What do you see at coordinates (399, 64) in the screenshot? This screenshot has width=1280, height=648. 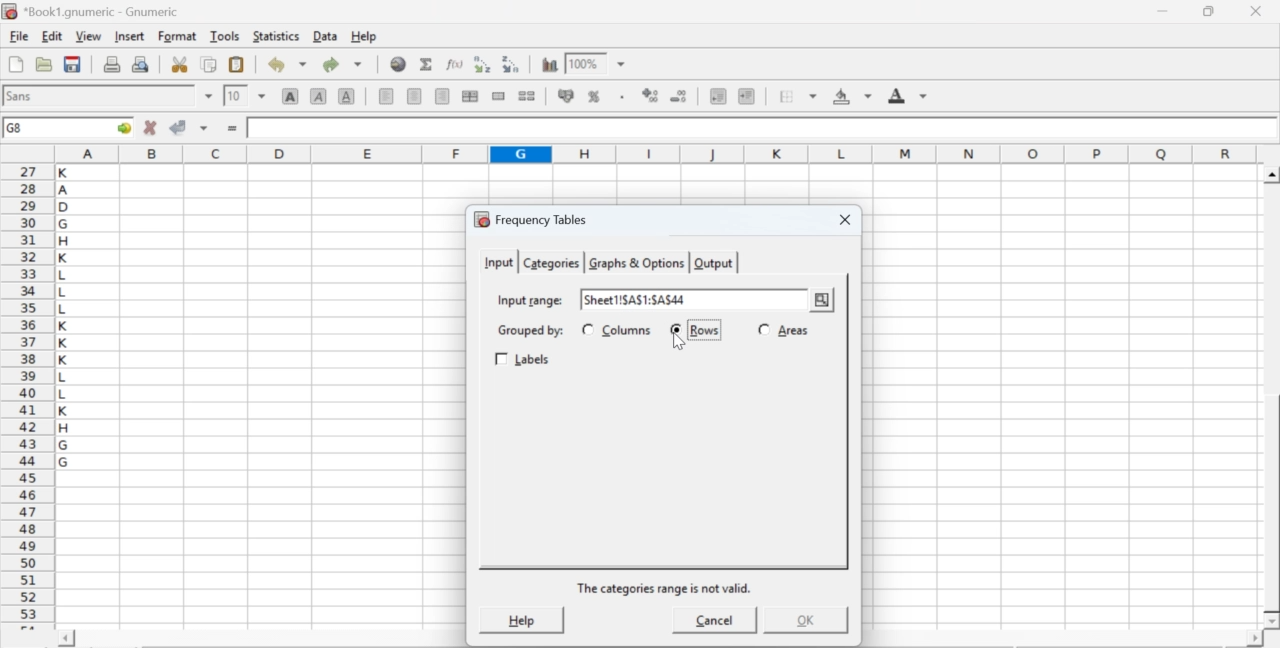 I see `insert hyperlink` at bounding box center [399, 64].